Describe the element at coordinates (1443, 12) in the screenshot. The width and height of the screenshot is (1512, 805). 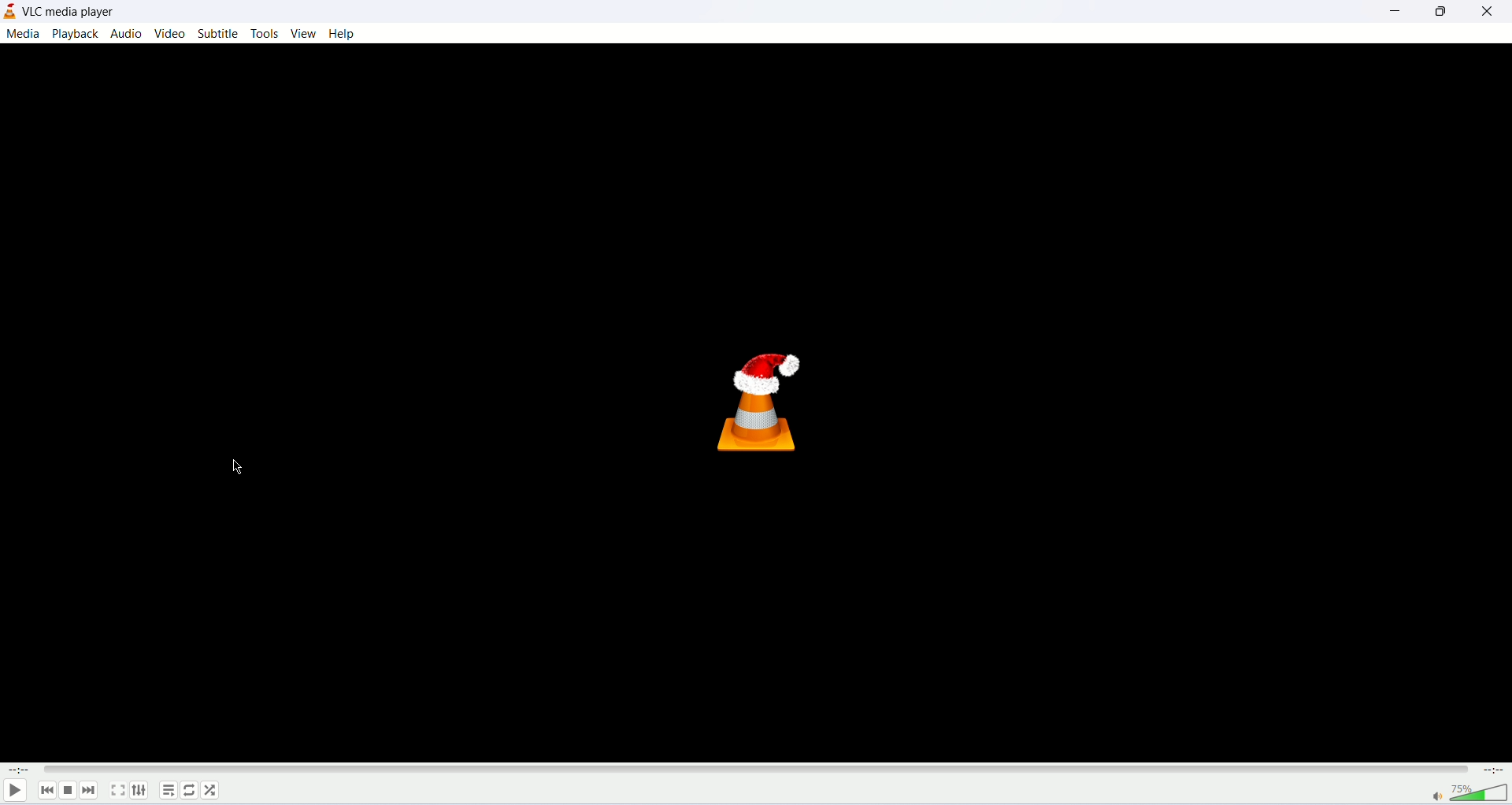
I see `maximize` at that location.